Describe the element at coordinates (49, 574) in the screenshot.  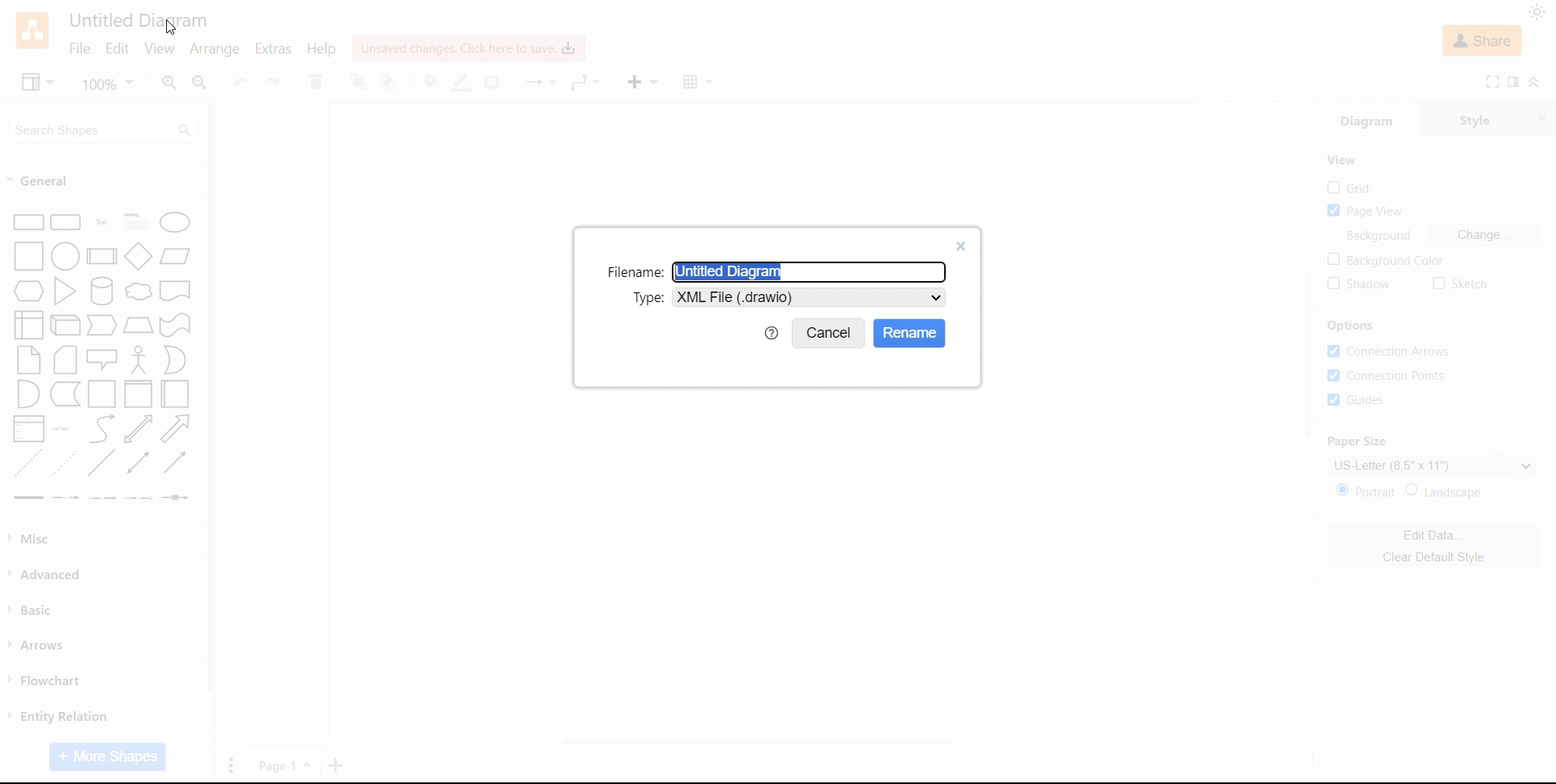
I see `Advanced ` at that location.